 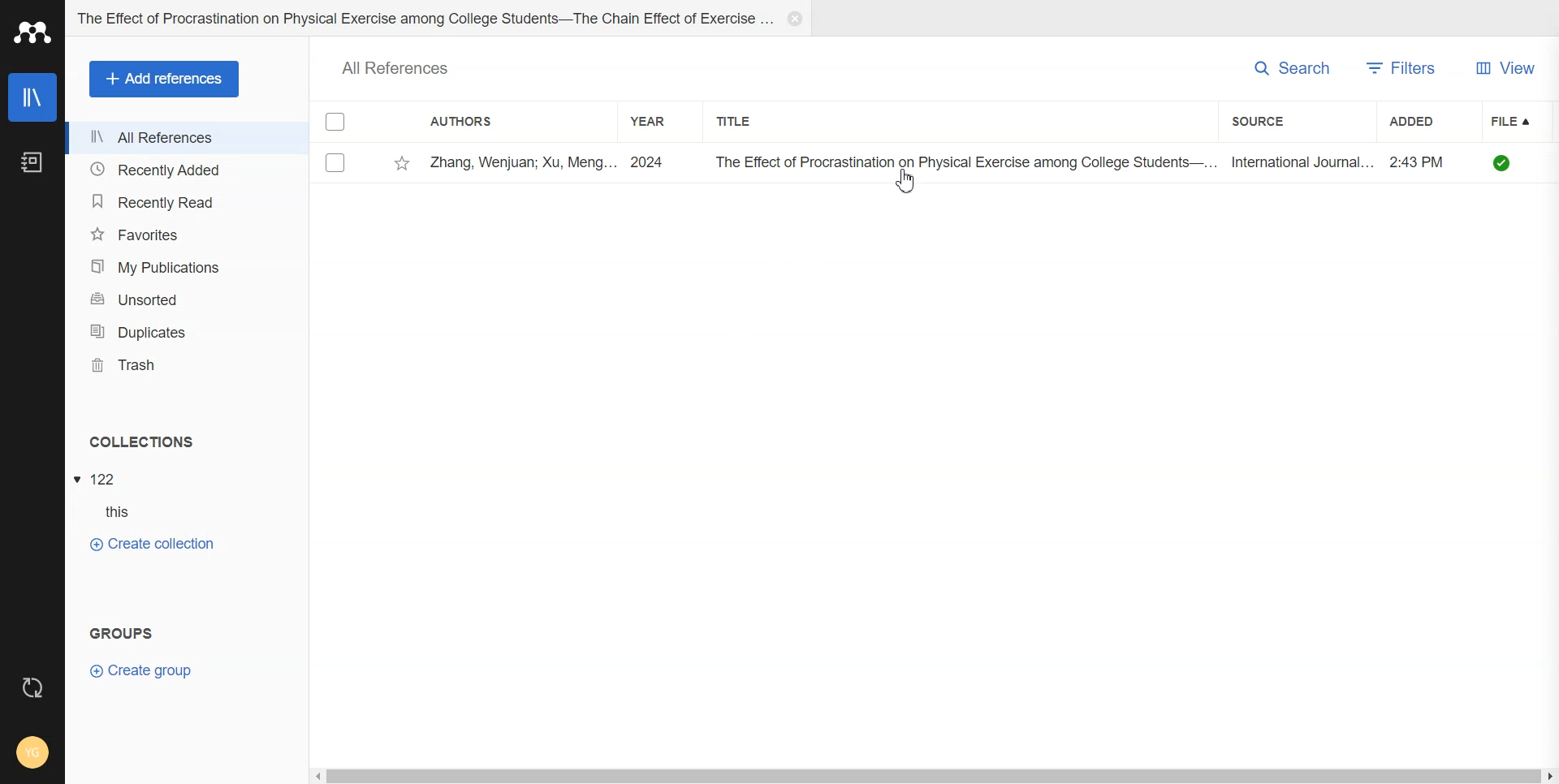 I want to click on Duplicates, so click(x=187, y=330).